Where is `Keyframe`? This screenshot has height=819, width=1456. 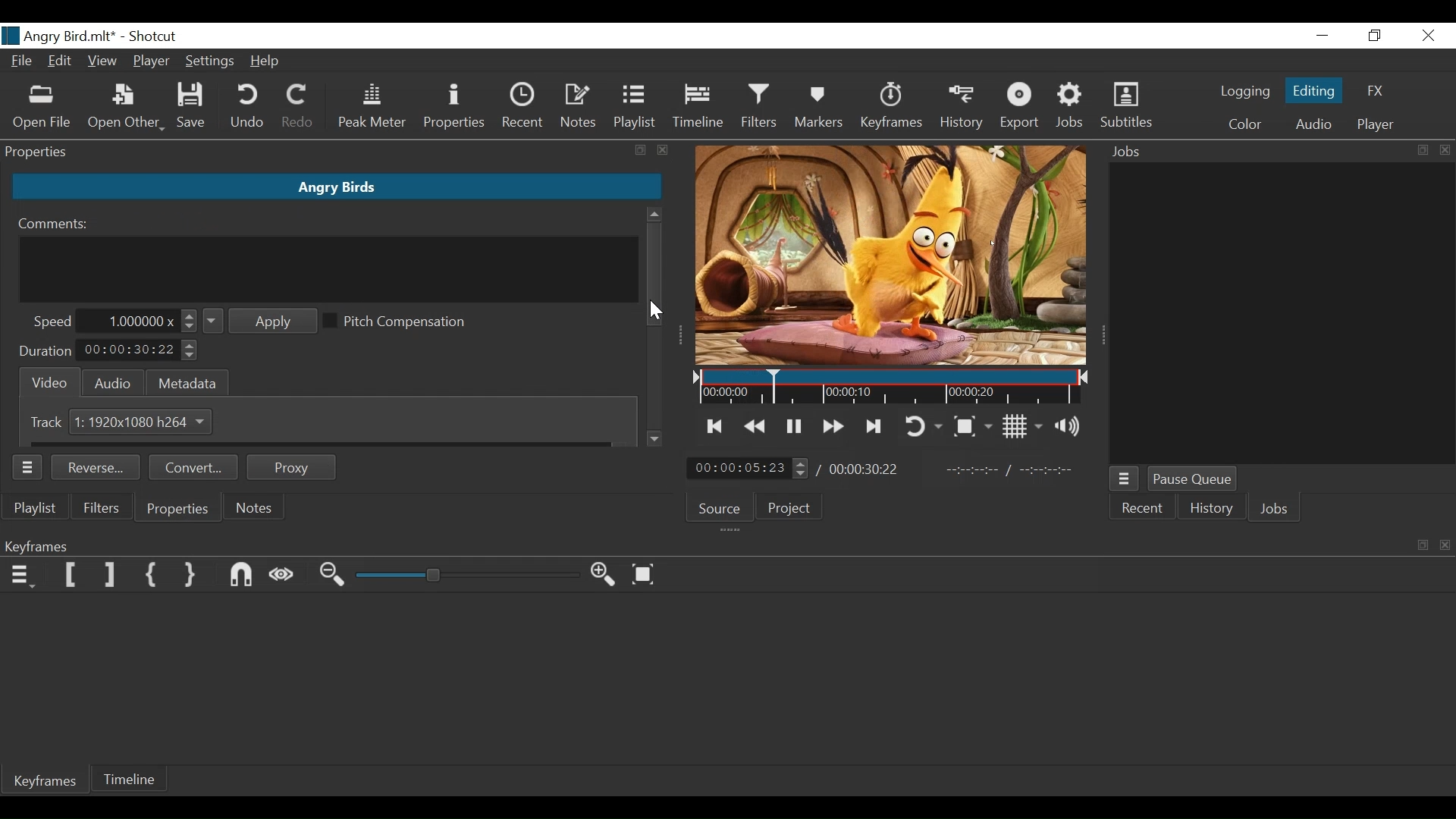
Keyframe is located at coordinates (893, 110).